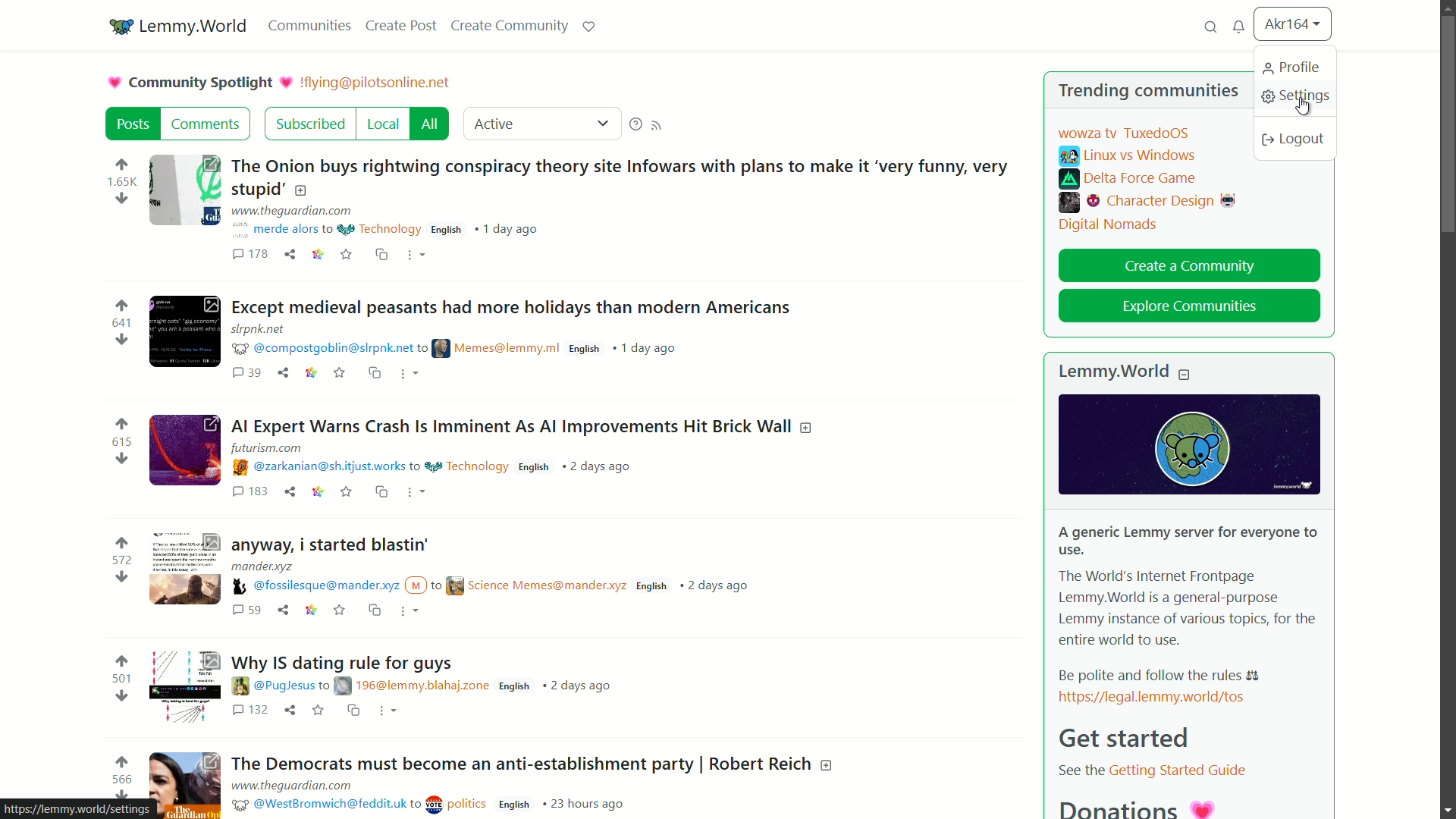 The image size is (1456, 819). I want to click on picture, so click(289, 80).